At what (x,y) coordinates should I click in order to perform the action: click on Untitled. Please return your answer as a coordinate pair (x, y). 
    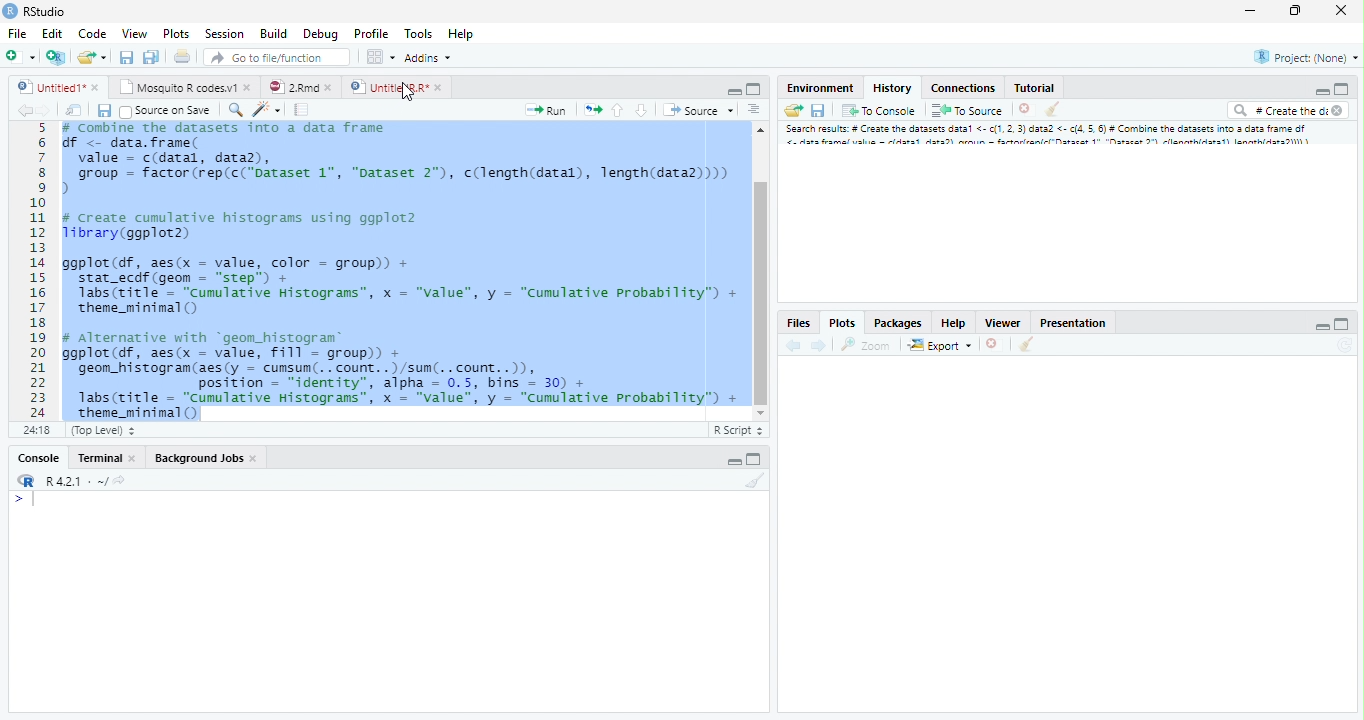
    Looking at the image, I should click on (61, 85).